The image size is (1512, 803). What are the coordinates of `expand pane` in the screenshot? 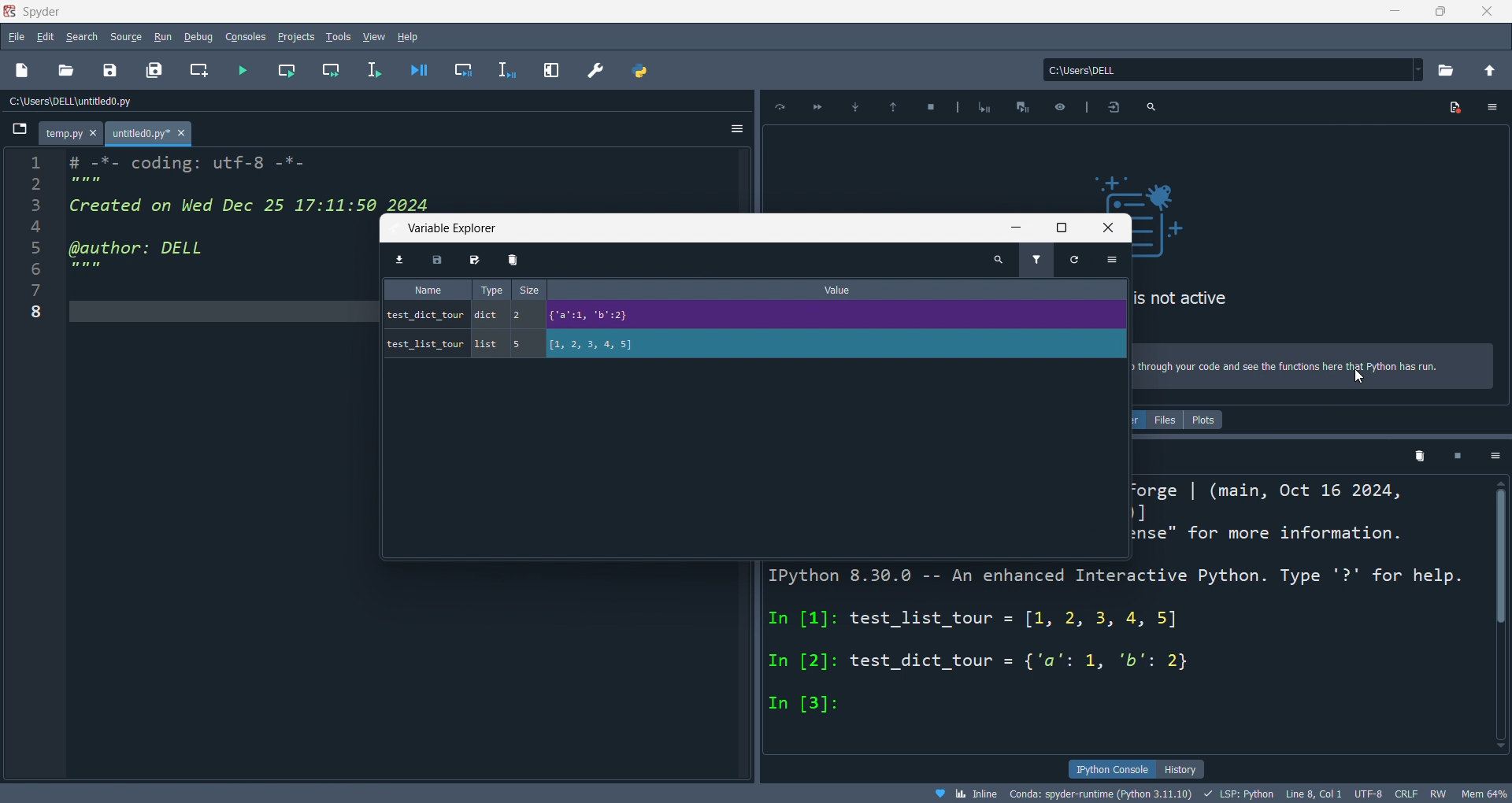 It's located at (551, 69).